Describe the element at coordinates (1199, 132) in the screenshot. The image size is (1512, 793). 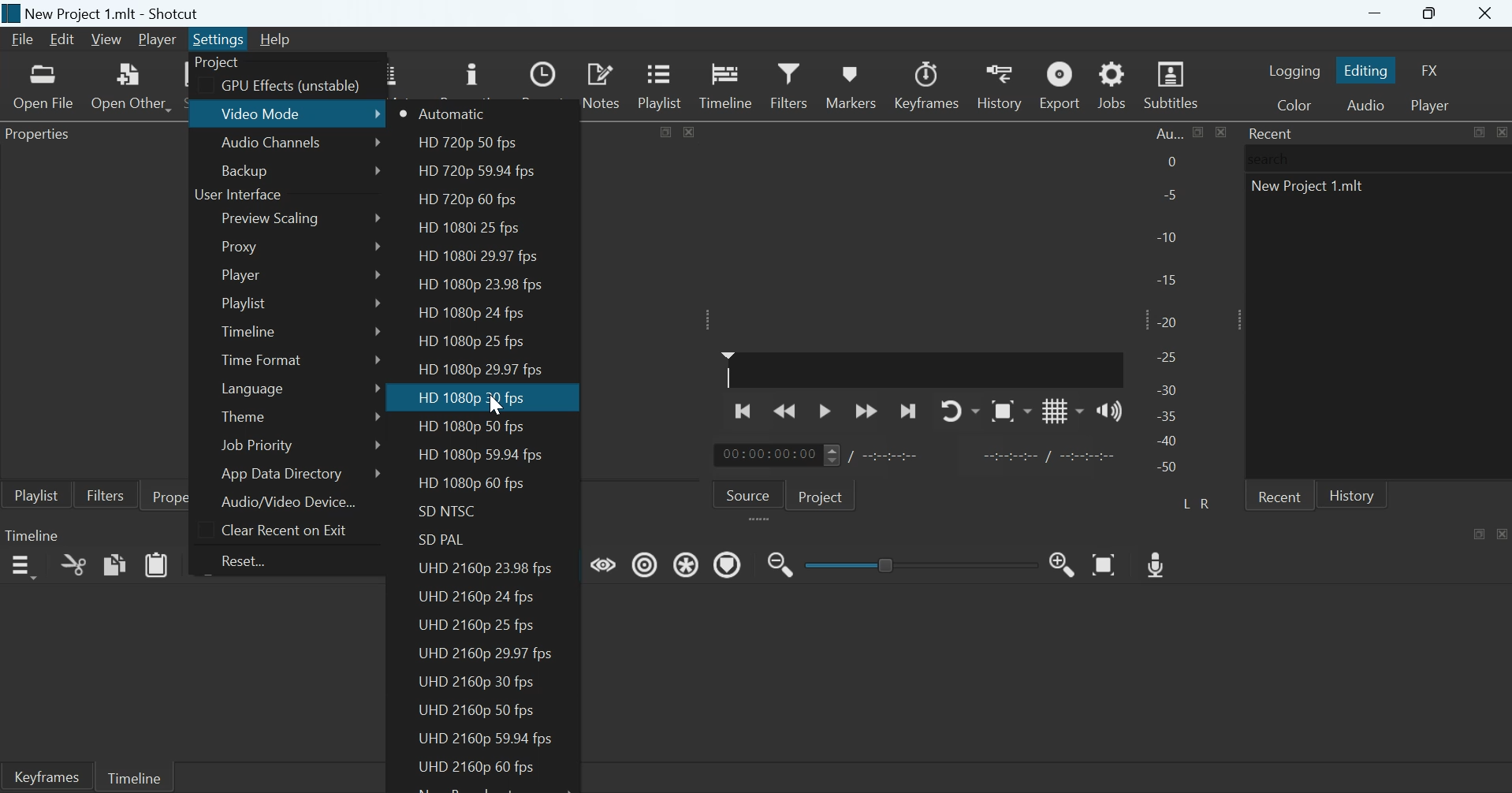
I see `Maximize` at that location.